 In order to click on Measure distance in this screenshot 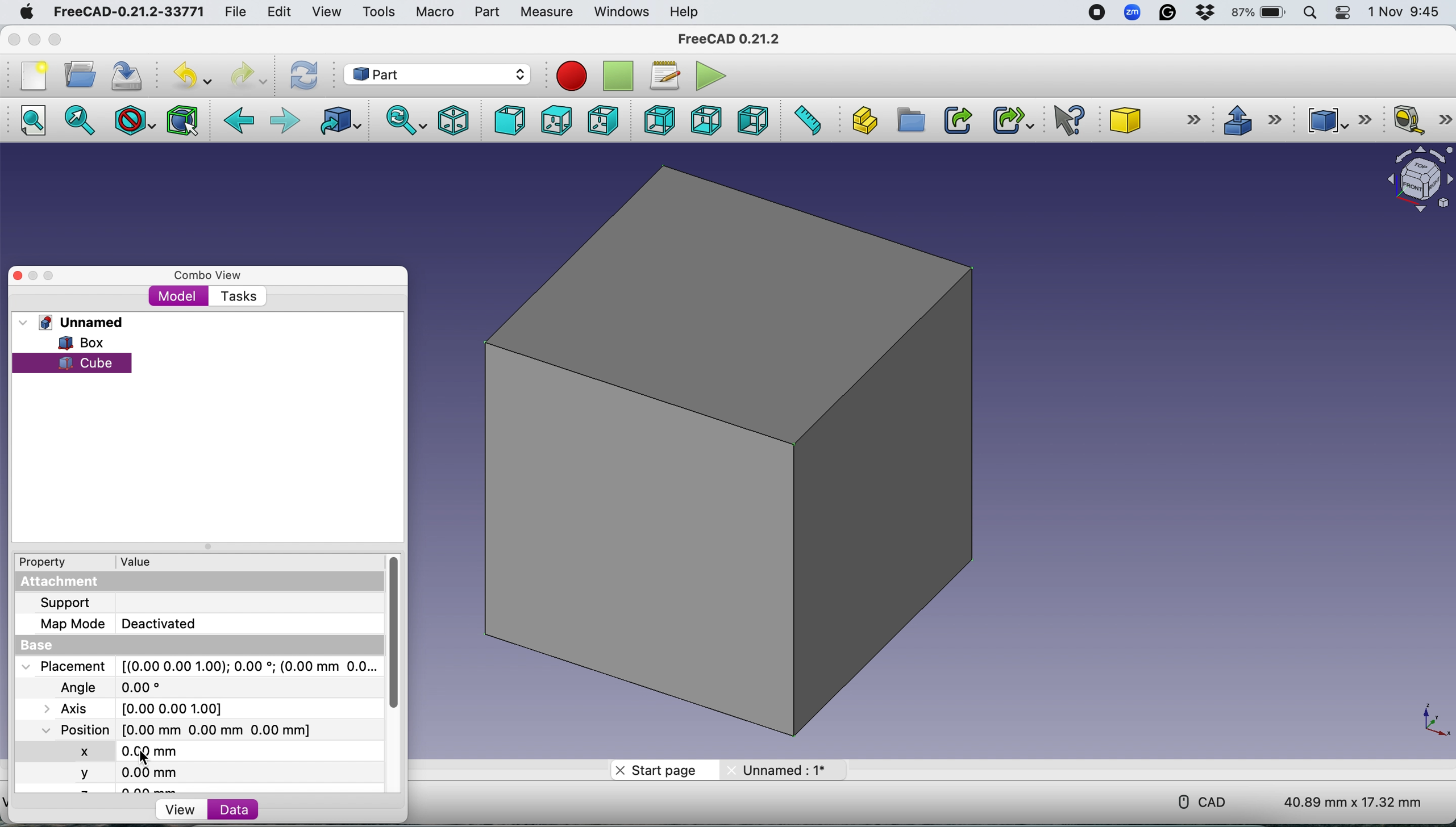, I will do `click(806, 119)`.